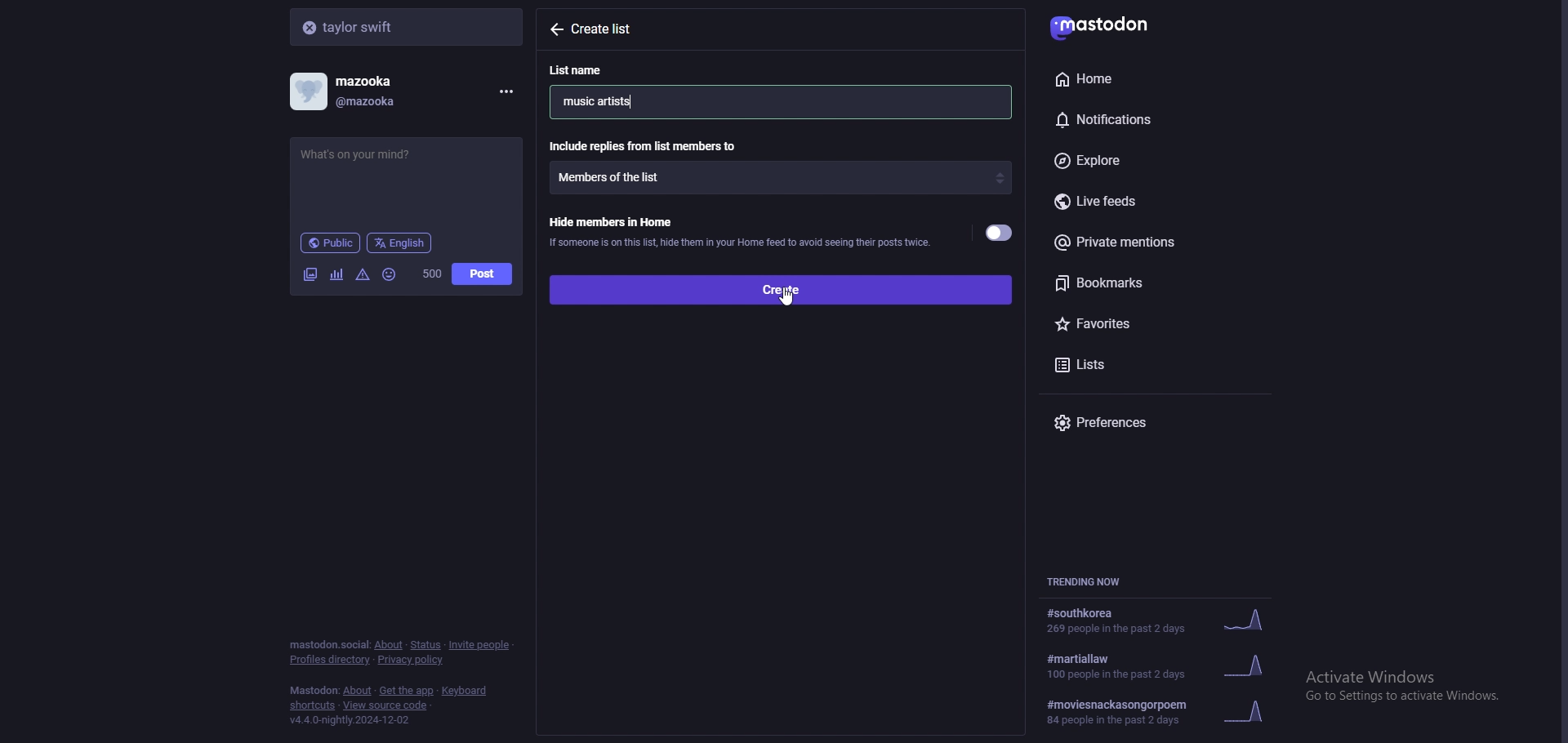  Describe the element at coordinates (1157, 621) in the screenshot. I see `trending` at that location.